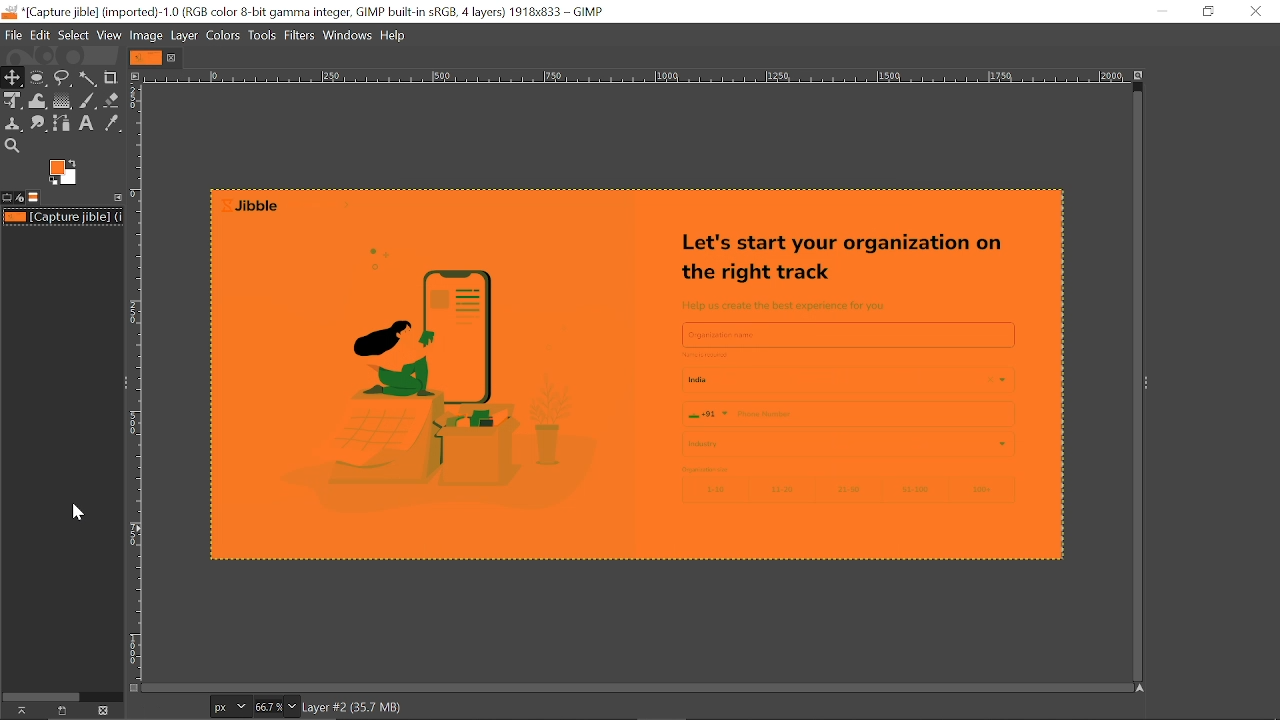 Image resolution: width=1280 pixels, height=720 pixels. What do you see at coordinates (111, 77) in the screenshot?
I see `Crop tool` at bounding box center [111, 77].